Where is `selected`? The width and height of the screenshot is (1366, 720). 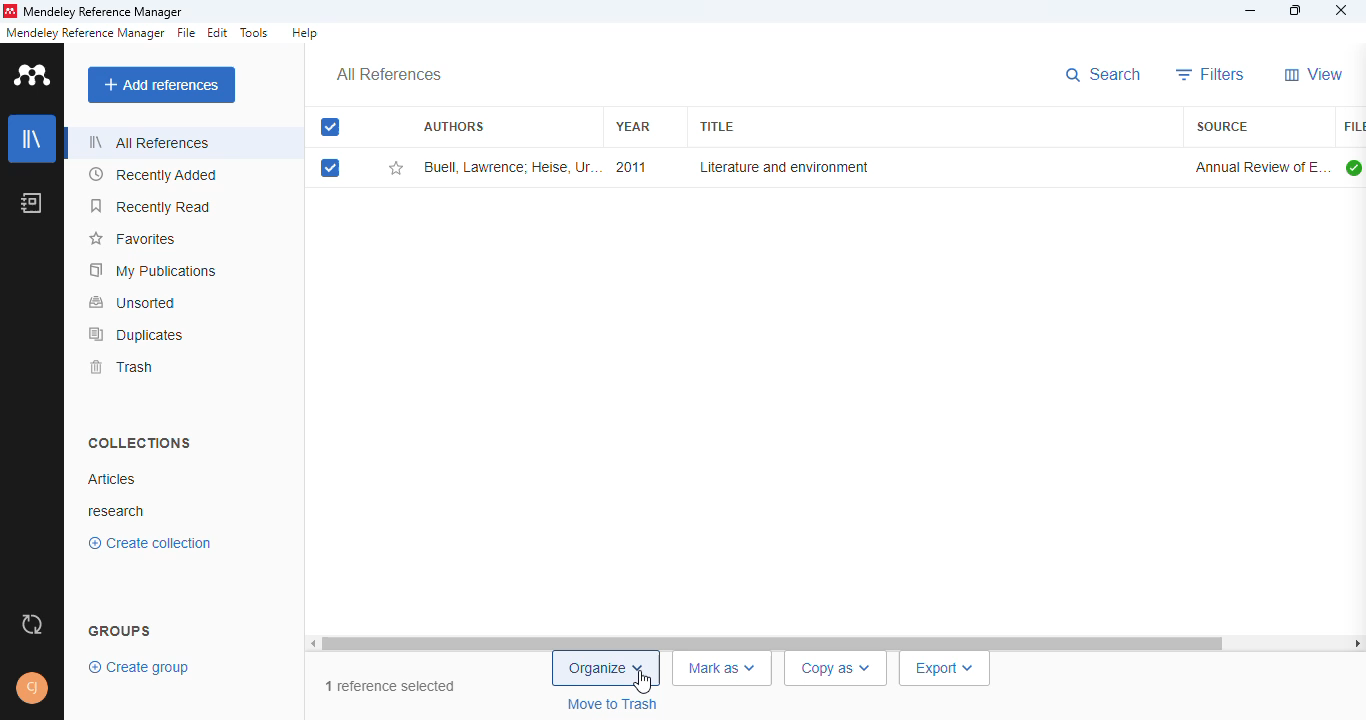 selected is located at coordinates (332, 128).